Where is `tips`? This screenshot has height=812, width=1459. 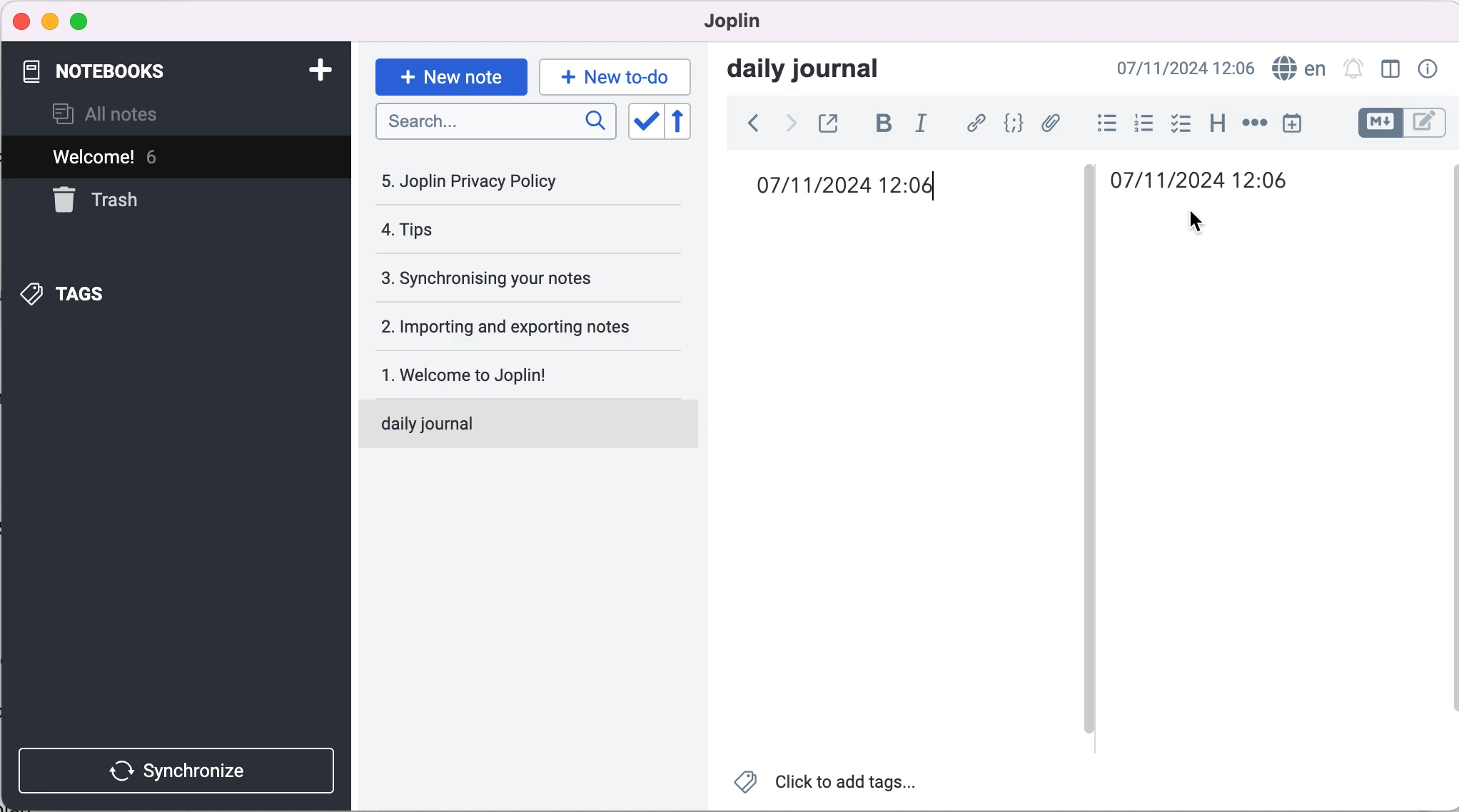
tips is located at coordinates (468, 230).